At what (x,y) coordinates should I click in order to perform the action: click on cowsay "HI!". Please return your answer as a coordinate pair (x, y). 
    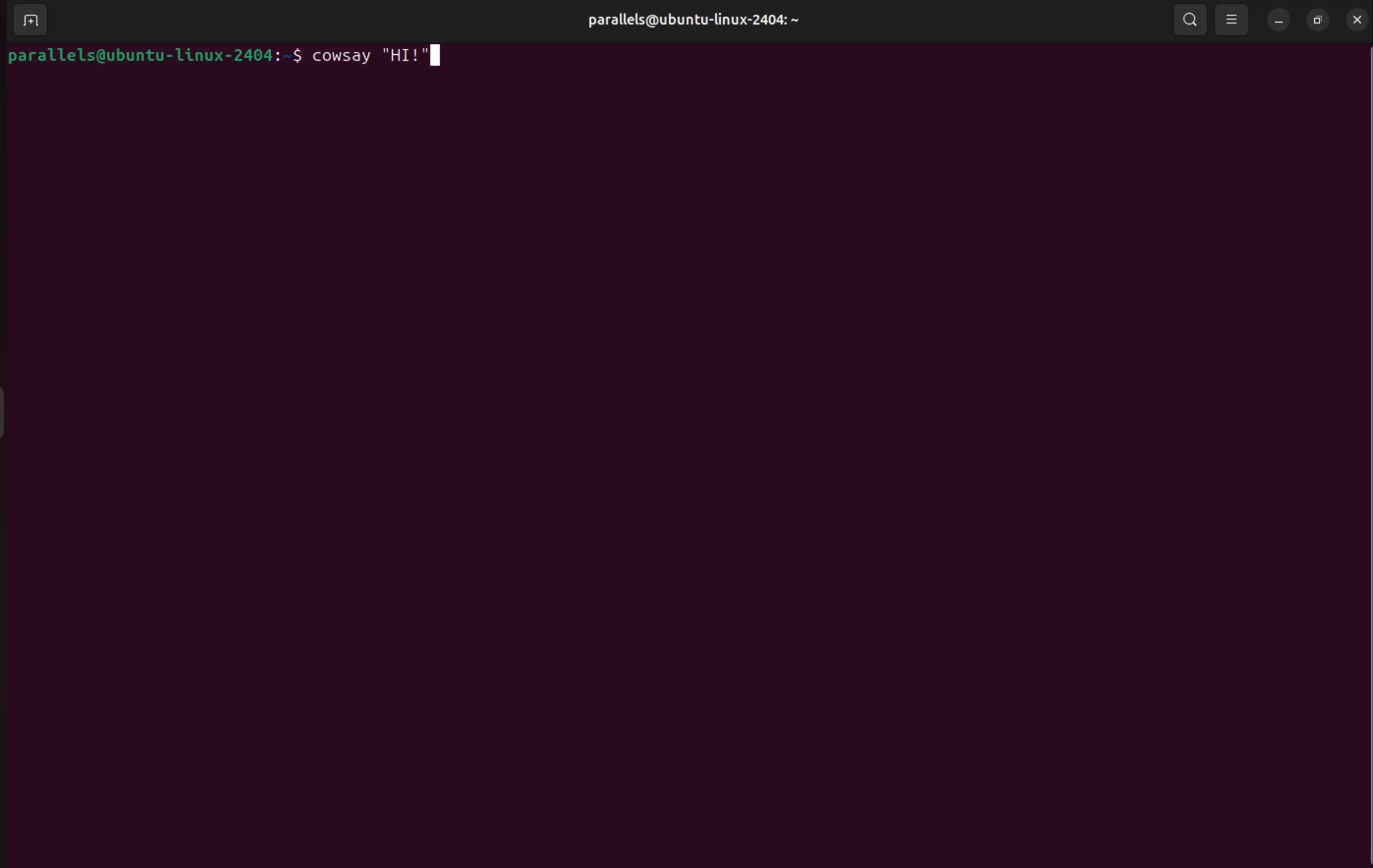
    Looking at the image, I should click on (376, 57).